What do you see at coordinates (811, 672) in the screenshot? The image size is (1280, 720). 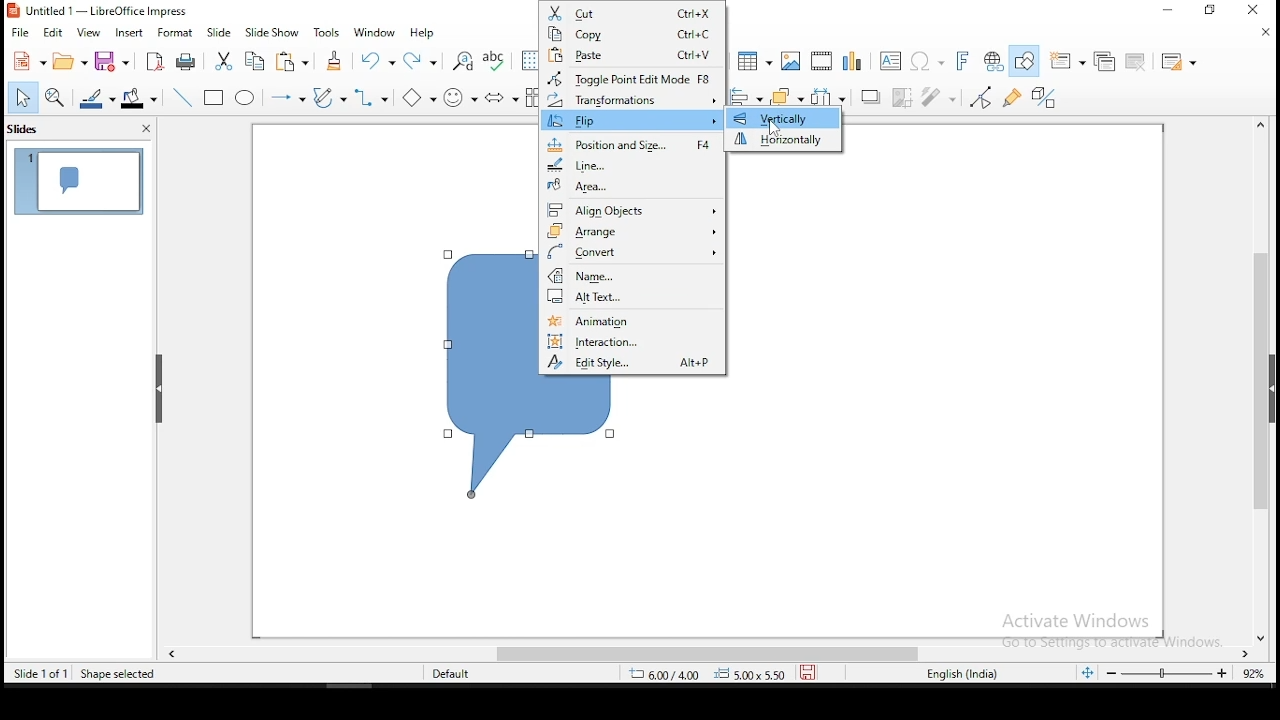 I see `save` at bounding box center [811, 672].